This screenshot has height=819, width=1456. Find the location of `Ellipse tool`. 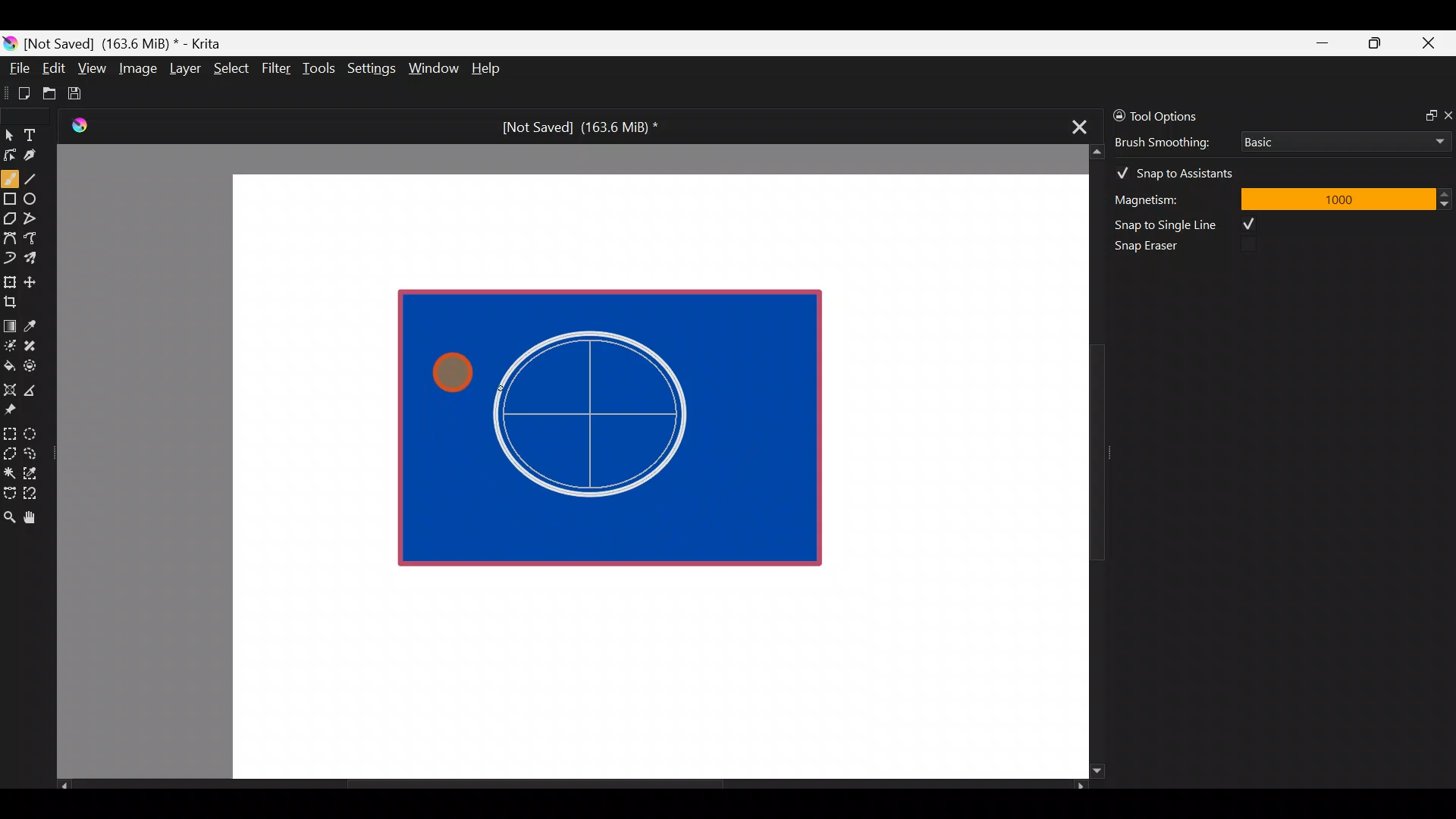

Ellipse tool is located at coordinates (37, 197).